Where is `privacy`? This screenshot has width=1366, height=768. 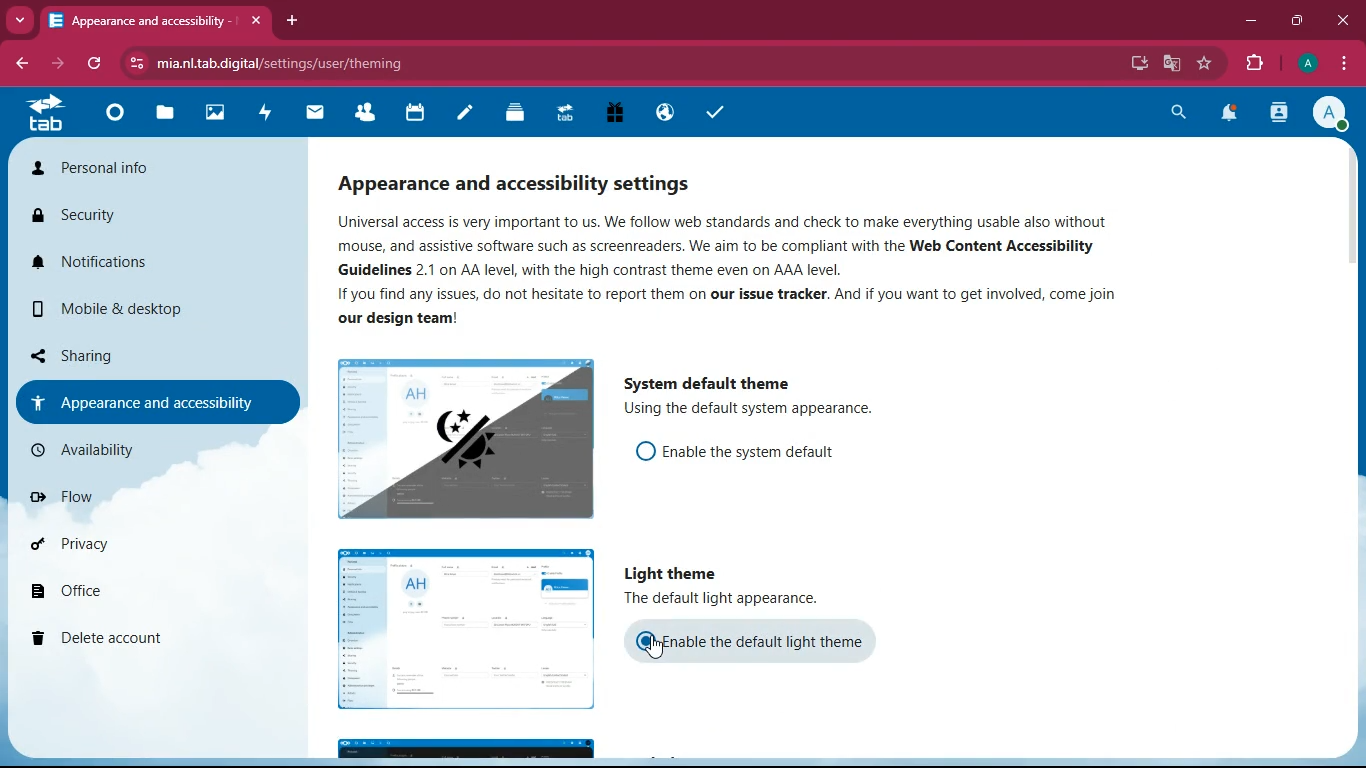
privacy is located at coordinates (158, 540).